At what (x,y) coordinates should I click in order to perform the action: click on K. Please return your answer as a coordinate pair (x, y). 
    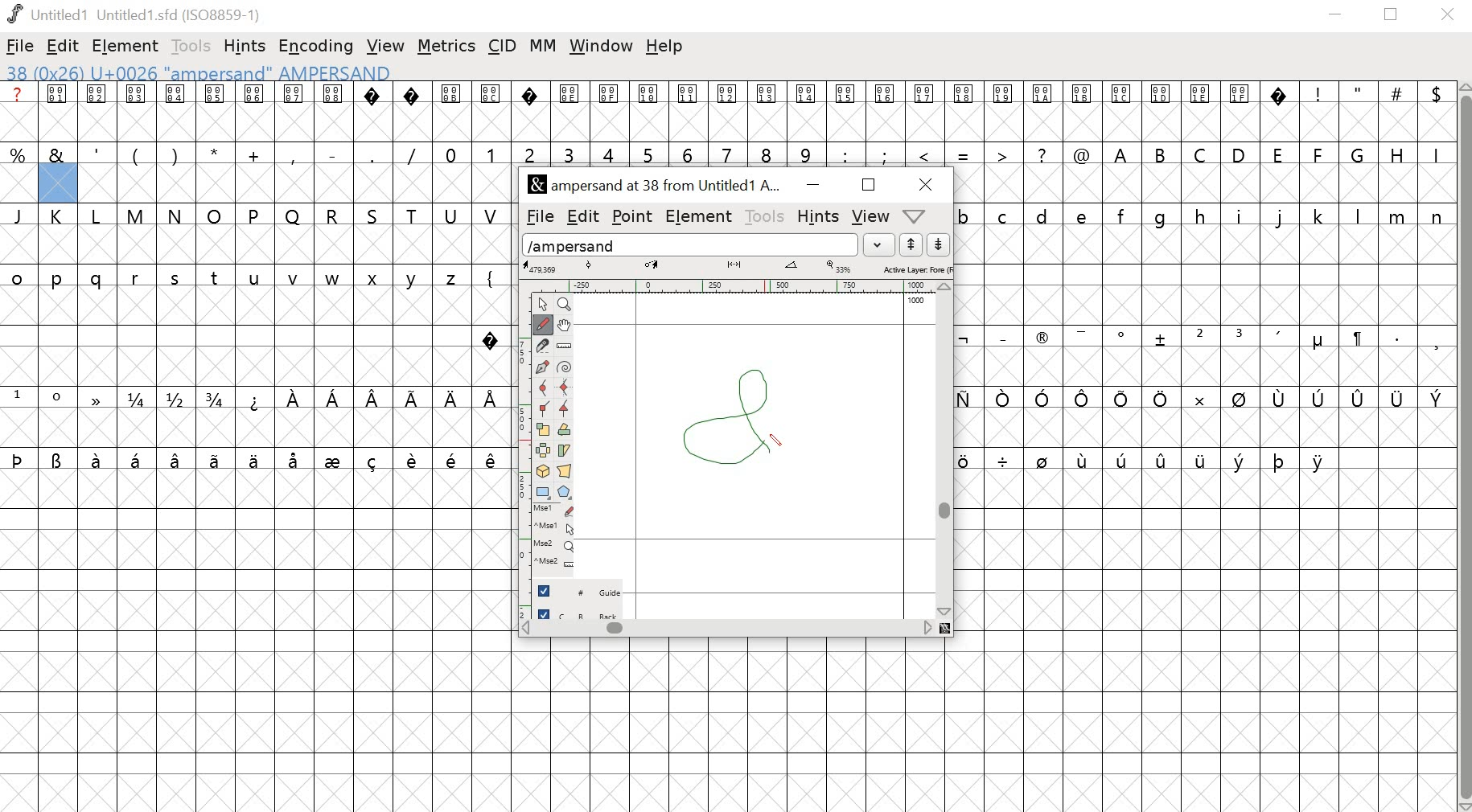
    Looking at the image, I should click on (60, 217).